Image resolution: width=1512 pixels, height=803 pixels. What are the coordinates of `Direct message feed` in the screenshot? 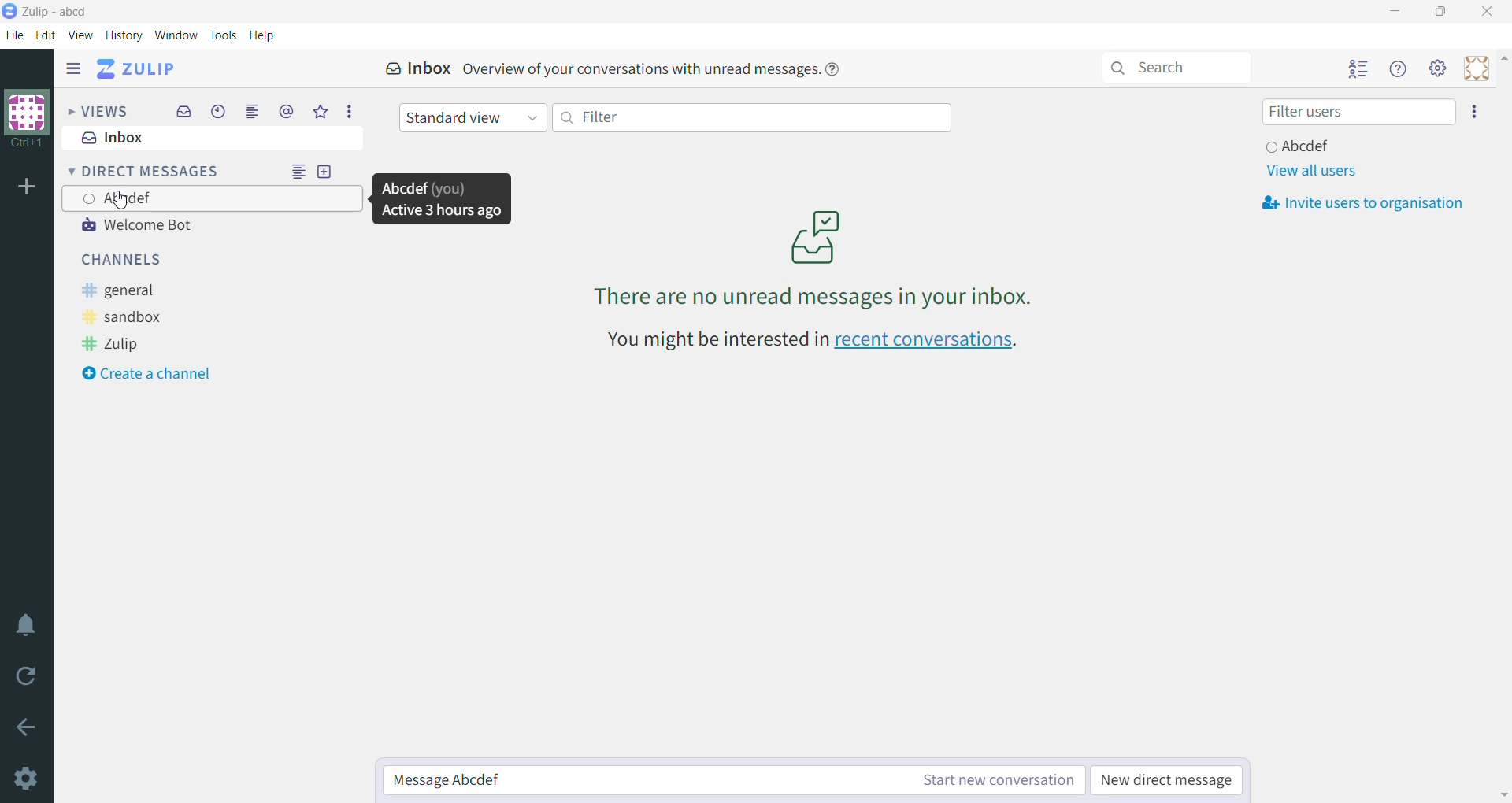 It's located at (300, 170).